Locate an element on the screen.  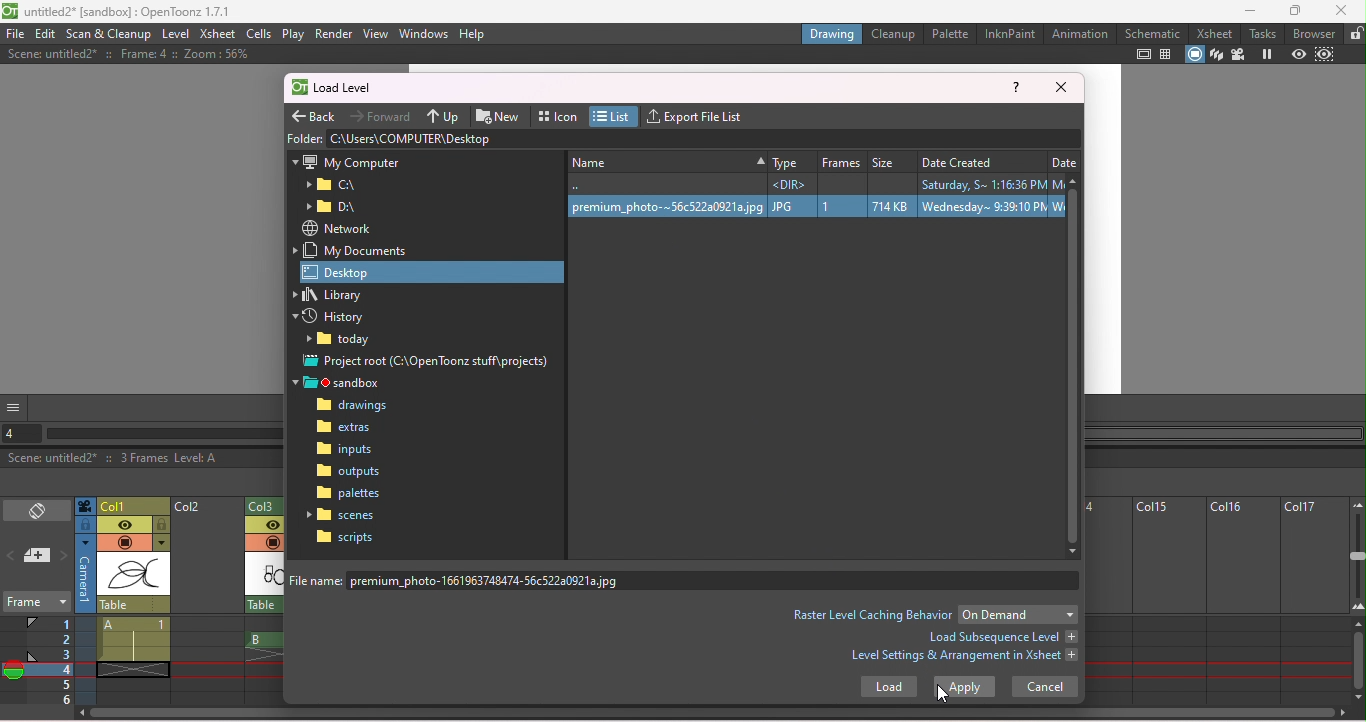
Horizontal scroll bar is located at coordinates (164, 434).